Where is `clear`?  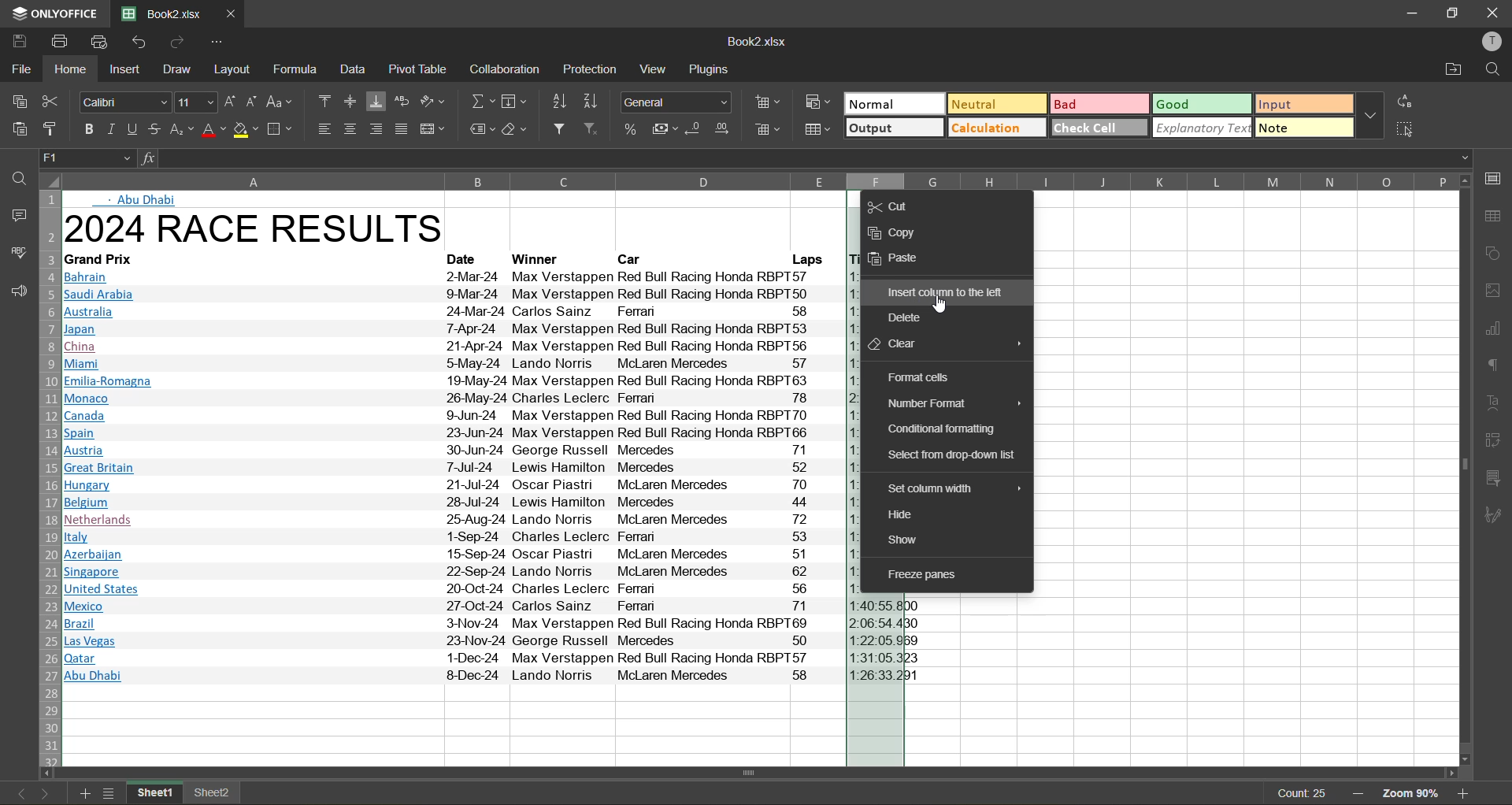
clear is located at coordinates (943, 343).